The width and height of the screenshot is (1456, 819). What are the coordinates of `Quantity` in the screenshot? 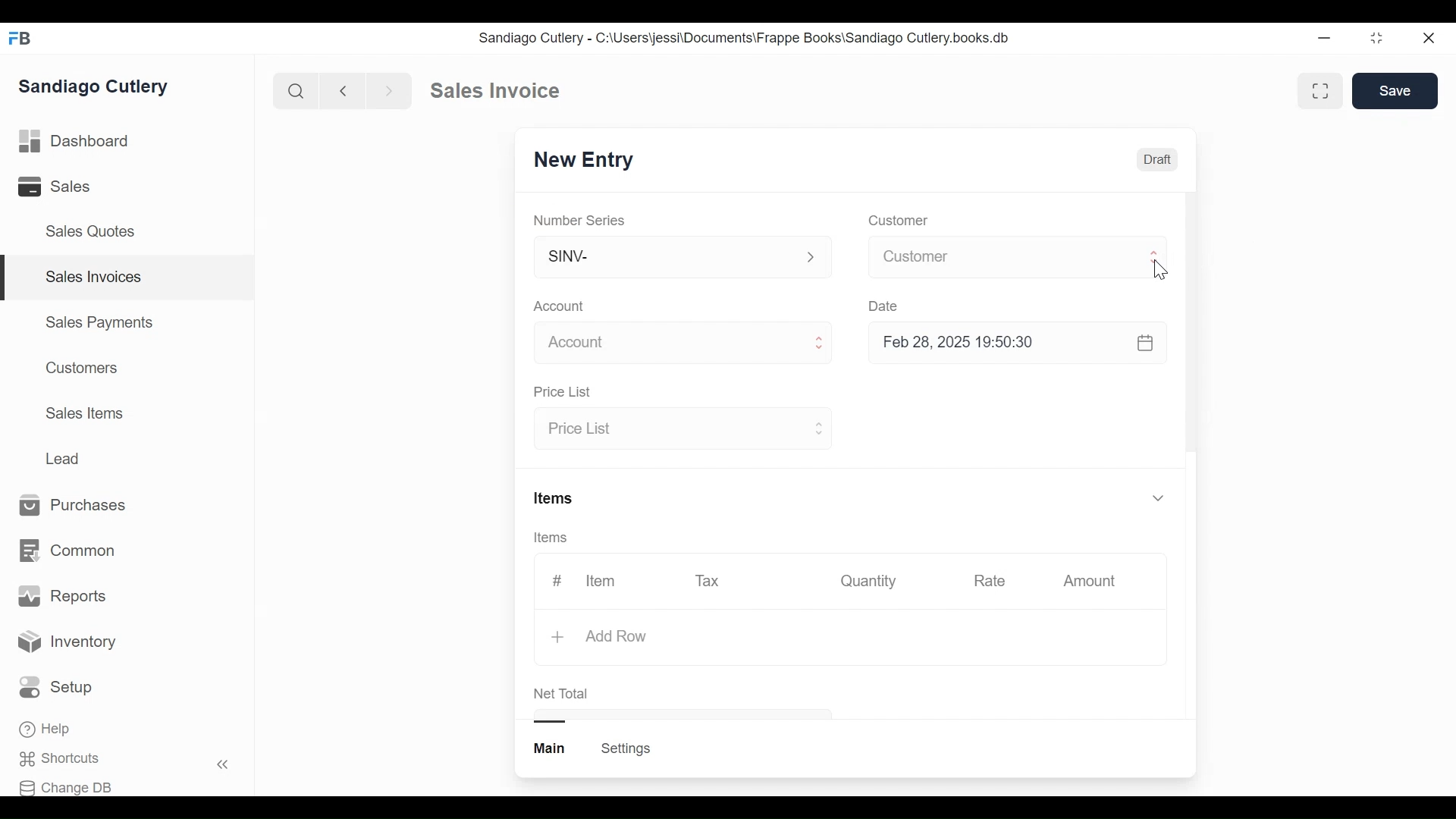 It's located at (870, 581).